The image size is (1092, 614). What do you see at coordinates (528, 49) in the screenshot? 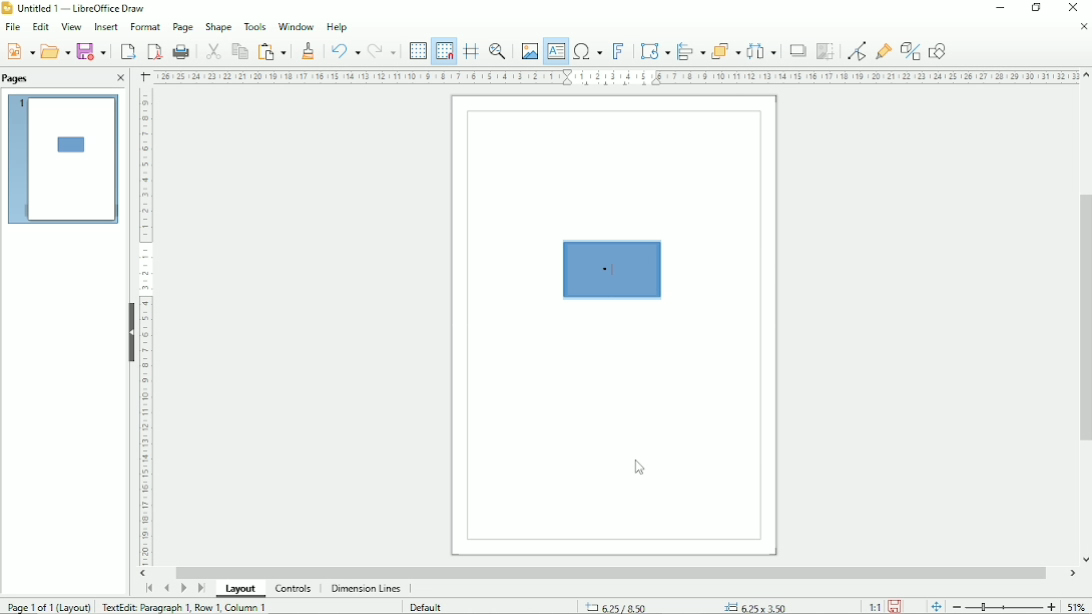
I see `Insert image` at bounding box center [528, 49].